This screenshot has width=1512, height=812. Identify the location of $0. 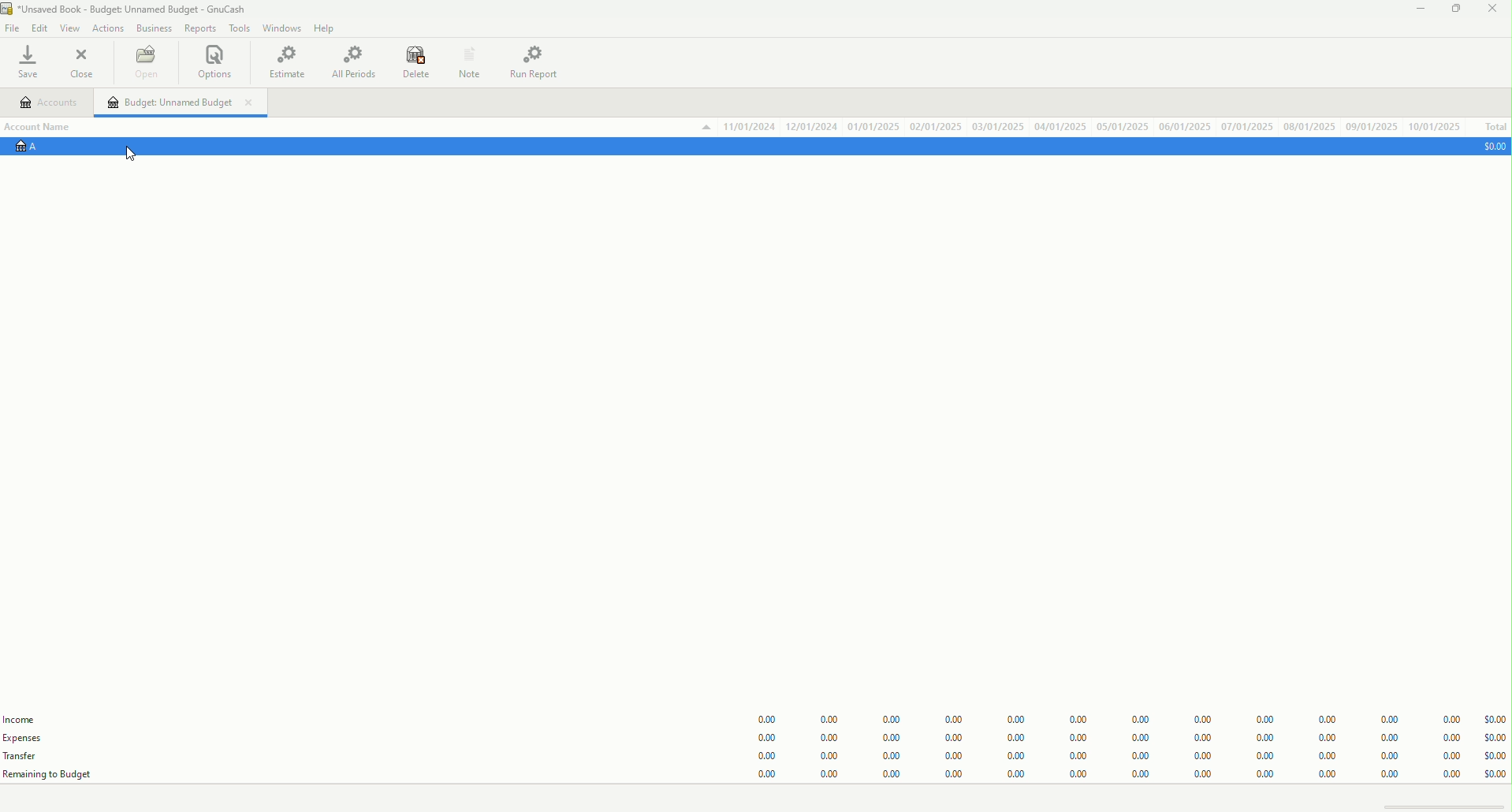
(1495, 147).